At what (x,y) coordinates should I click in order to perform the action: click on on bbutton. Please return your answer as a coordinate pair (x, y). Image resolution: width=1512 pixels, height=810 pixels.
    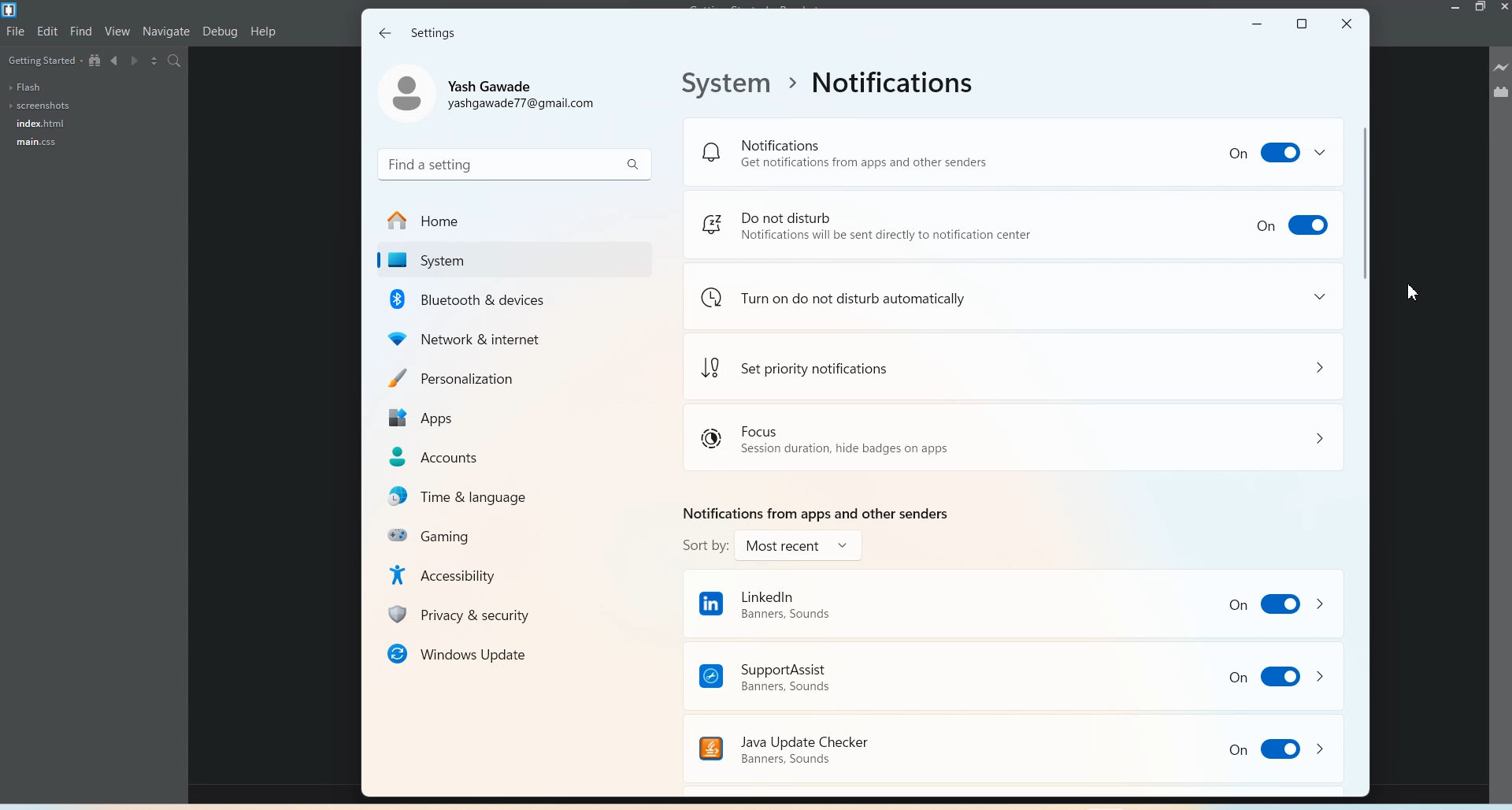
    Looking at the image, I should click on (1284, 151).